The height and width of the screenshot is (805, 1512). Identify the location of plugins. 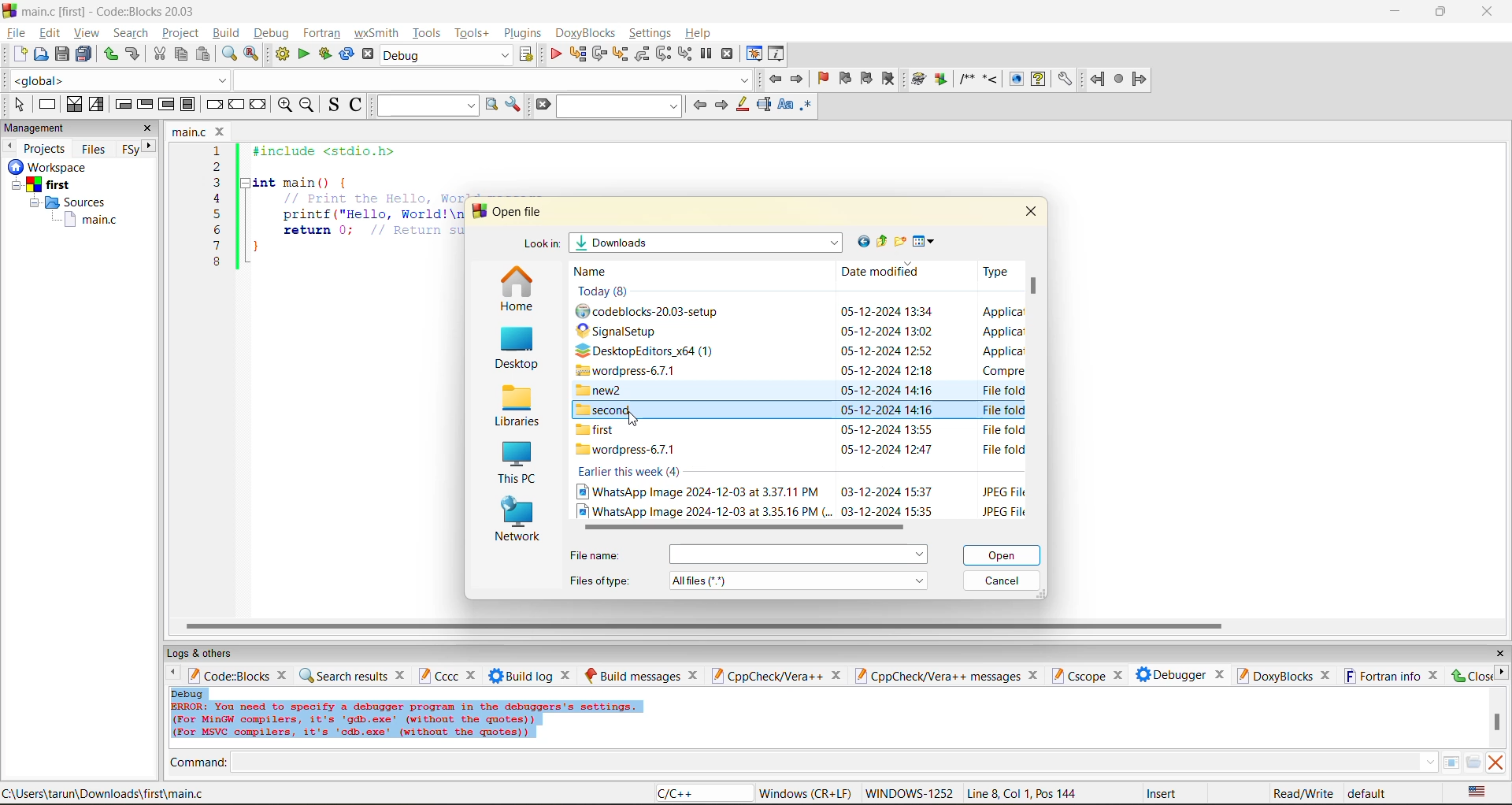
(524, 33).